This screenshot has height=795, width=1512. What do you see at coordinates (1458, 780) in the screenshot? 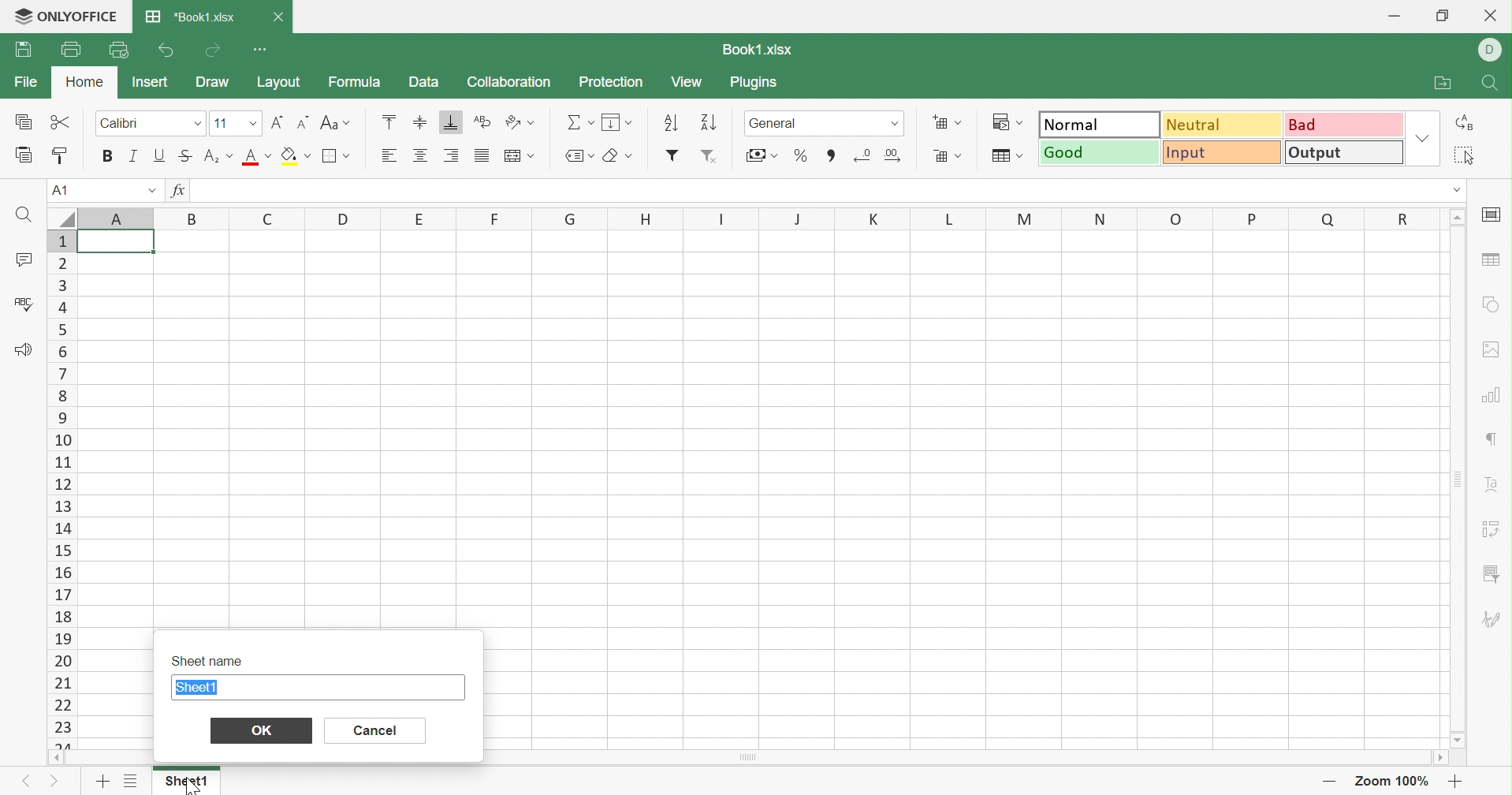
I see `Zoom in` at bounding box center [1458, 780].